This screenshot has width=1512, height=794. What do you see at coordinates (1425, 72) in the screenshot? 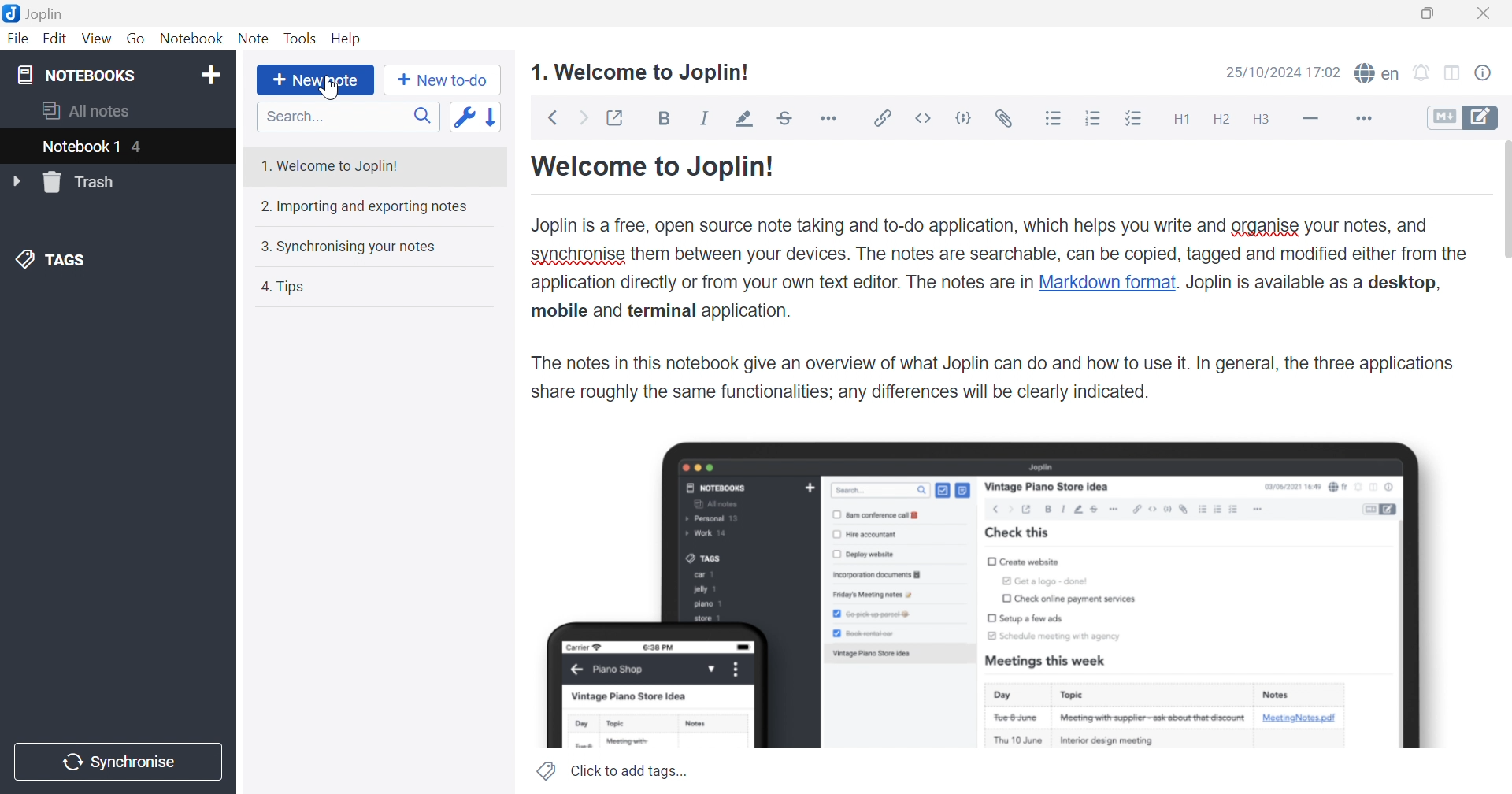
I see `Set alarm` at bounding box center [1425, 72].